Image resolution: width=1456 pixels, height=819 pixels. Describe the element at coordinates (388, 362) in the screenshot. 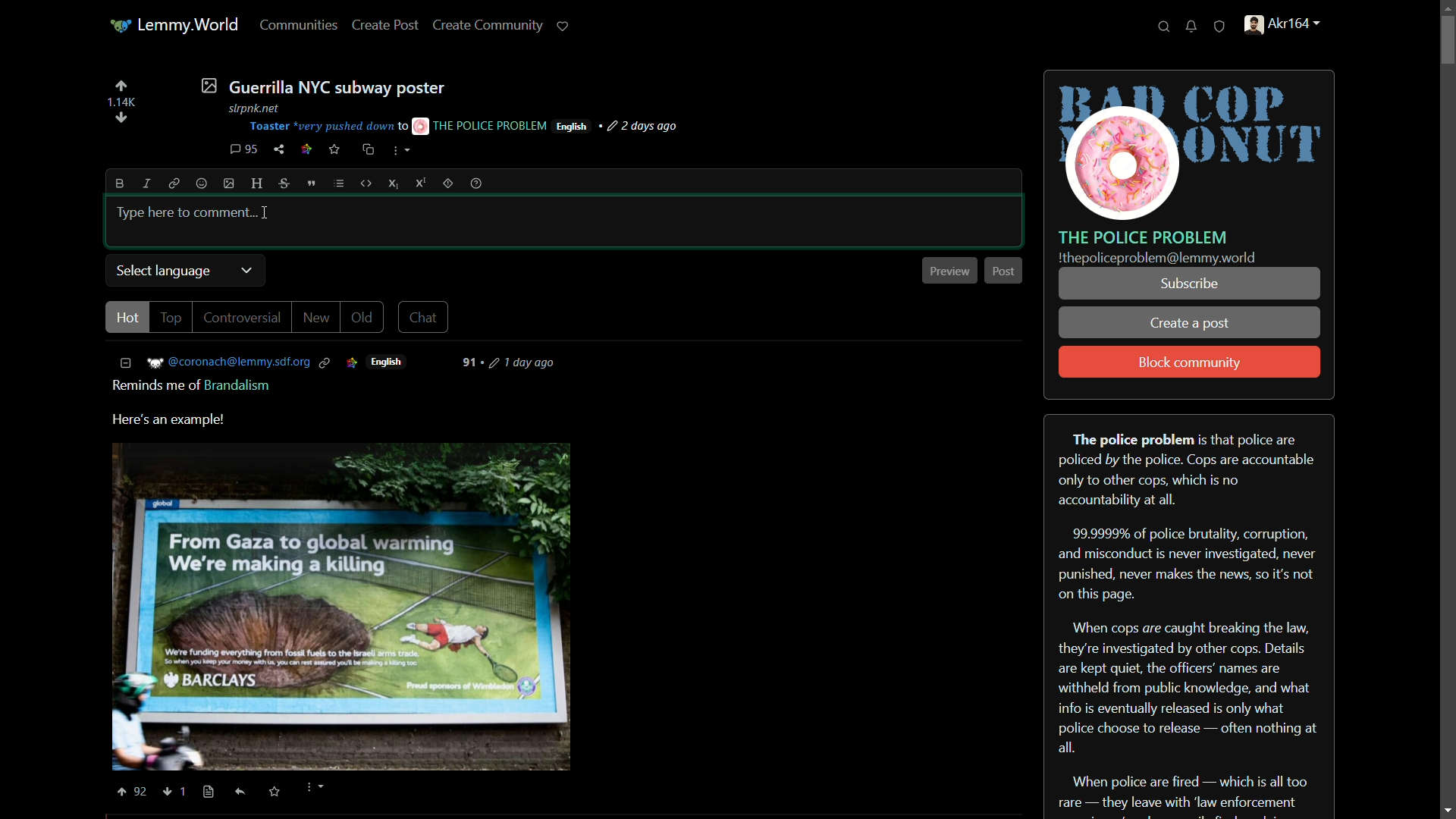

I see `language` at that location.